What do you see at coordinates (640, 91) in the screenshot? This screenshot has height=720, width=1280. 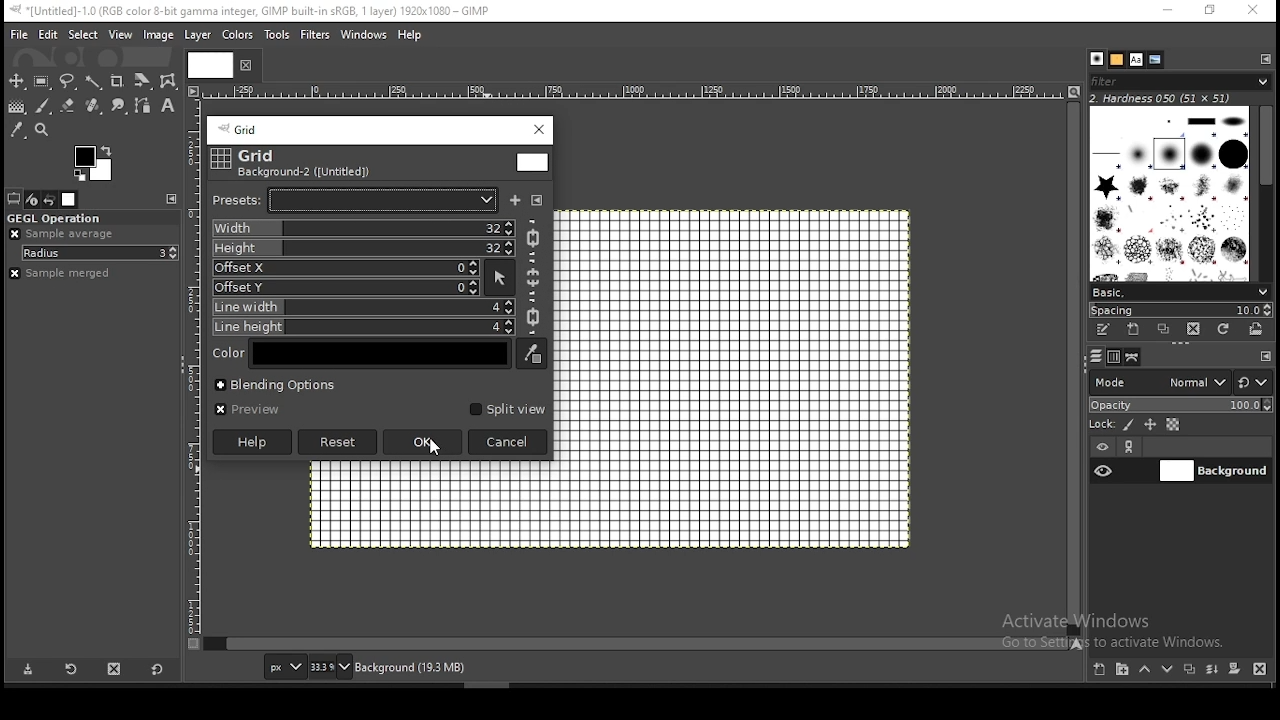 I see `horizontal scale` at bounding box center [640, 91].